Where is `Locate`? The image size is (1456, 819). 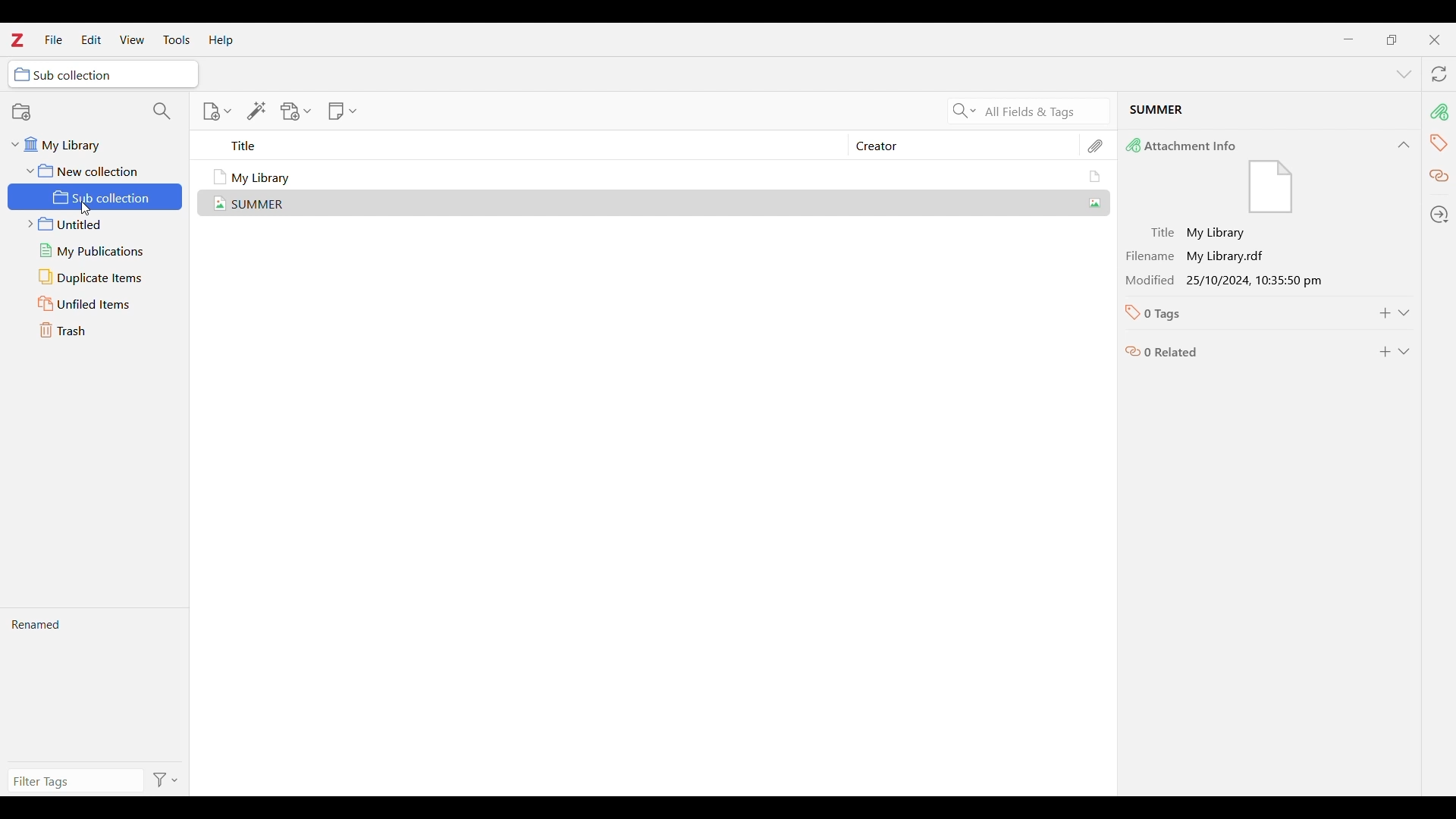 Locate is located at coordinates (1440, 214).